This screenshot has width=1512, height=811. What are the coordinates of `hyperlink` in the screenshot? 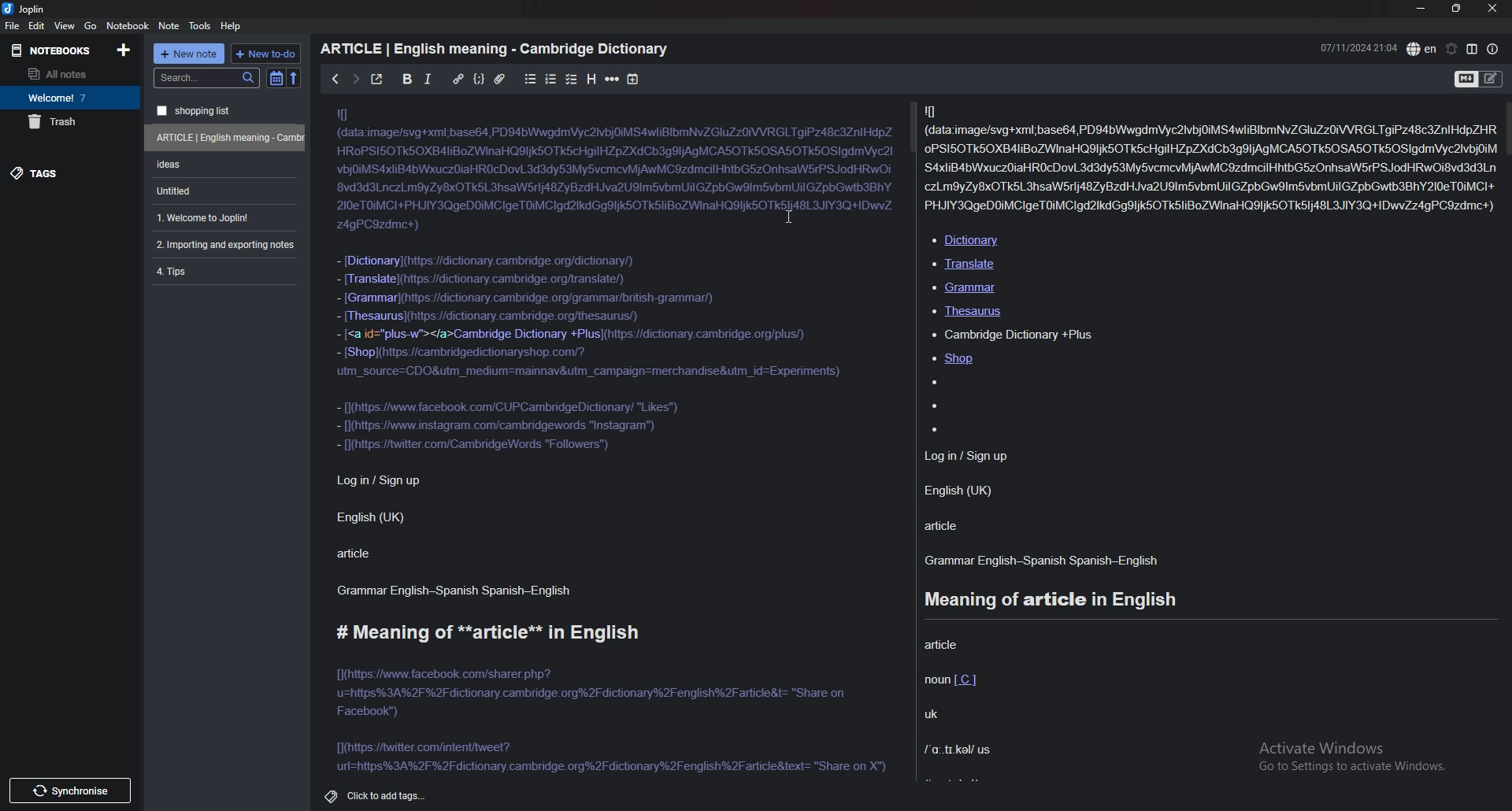 It's located at (458, 80).